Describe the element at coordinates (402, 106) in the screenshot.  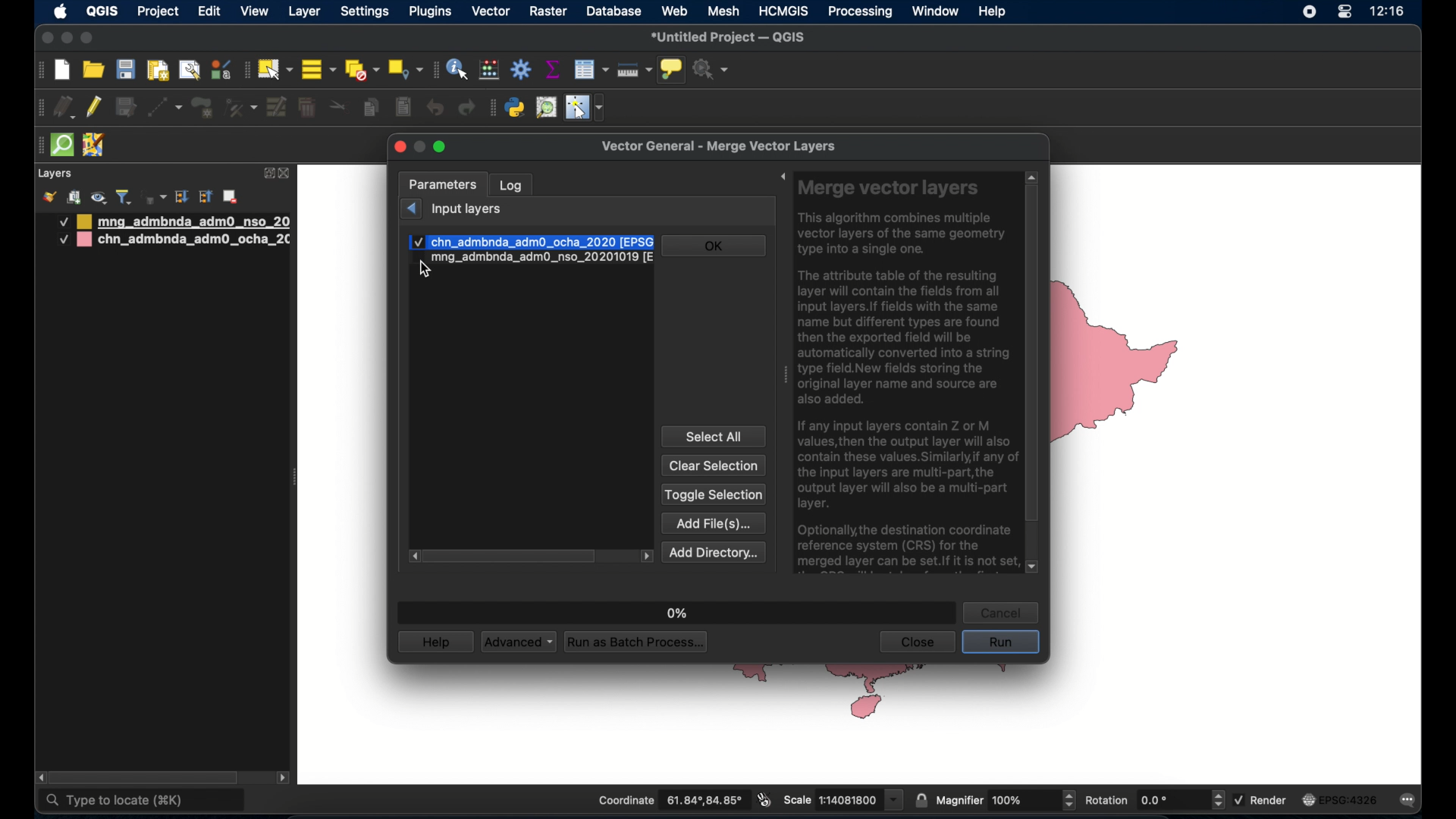
I see `paste features` at that location.